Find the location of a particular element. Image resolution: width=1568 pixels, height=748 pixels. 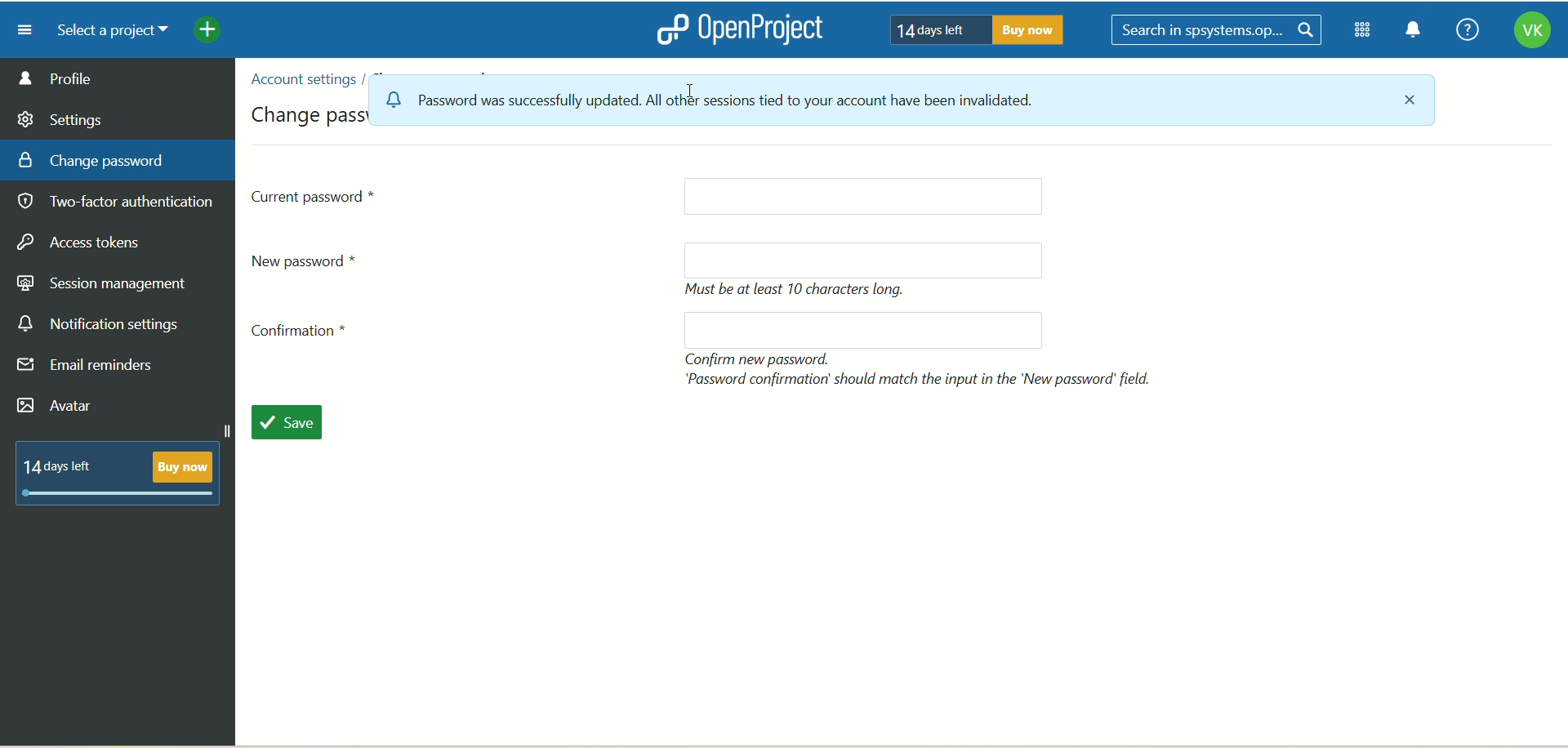

new password is located at coordinates (312, 260).